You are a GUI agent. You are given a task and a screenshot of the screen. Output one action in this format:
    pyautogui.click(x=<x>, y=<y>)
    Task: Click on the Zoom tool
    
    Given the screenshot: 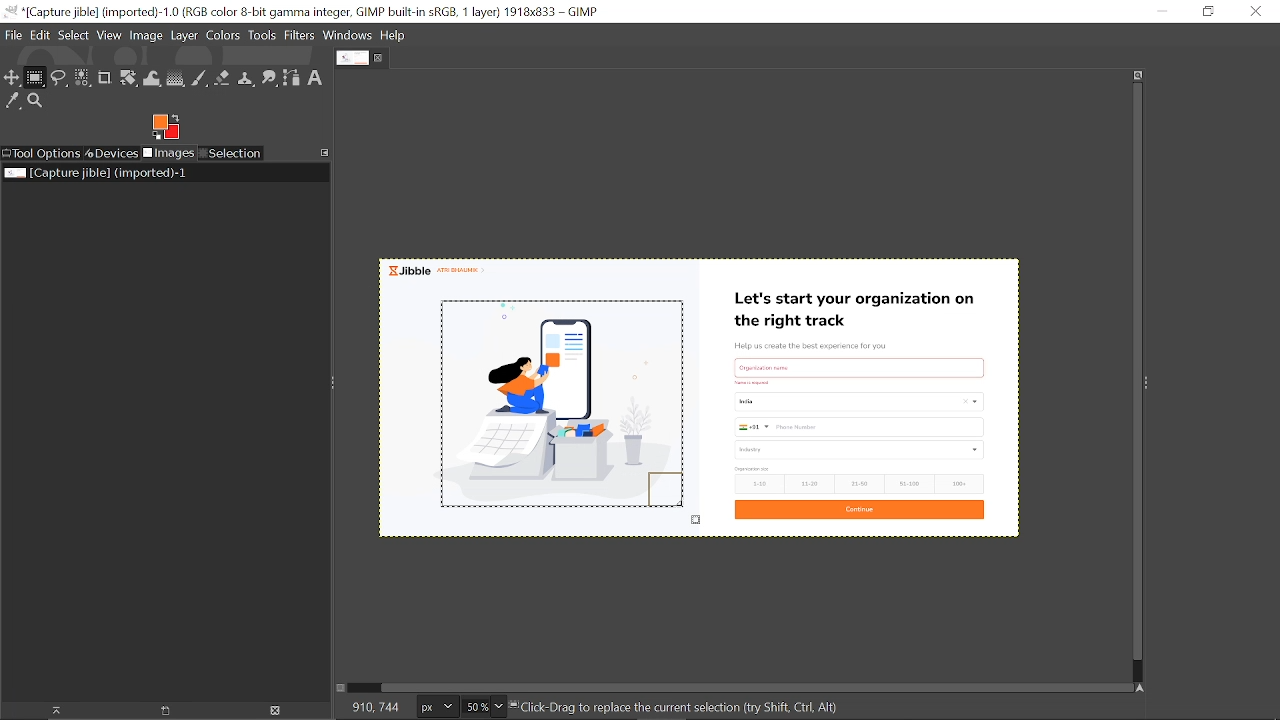 What is the action you would take?
    pyautogui.click(x=37, y=102)
    